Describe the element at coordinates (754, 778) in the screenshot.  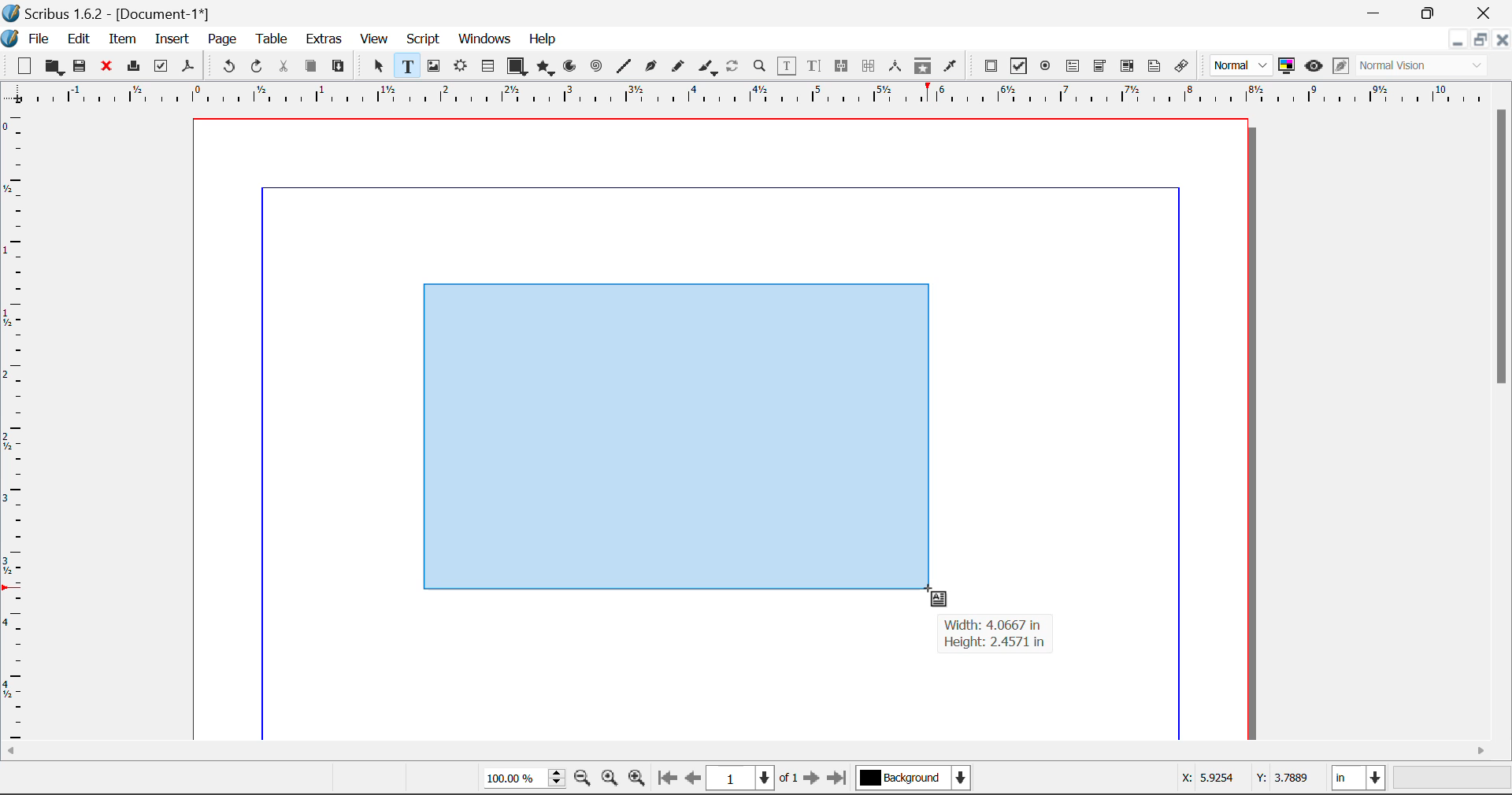
I see `Page 1 of 1` at that location.